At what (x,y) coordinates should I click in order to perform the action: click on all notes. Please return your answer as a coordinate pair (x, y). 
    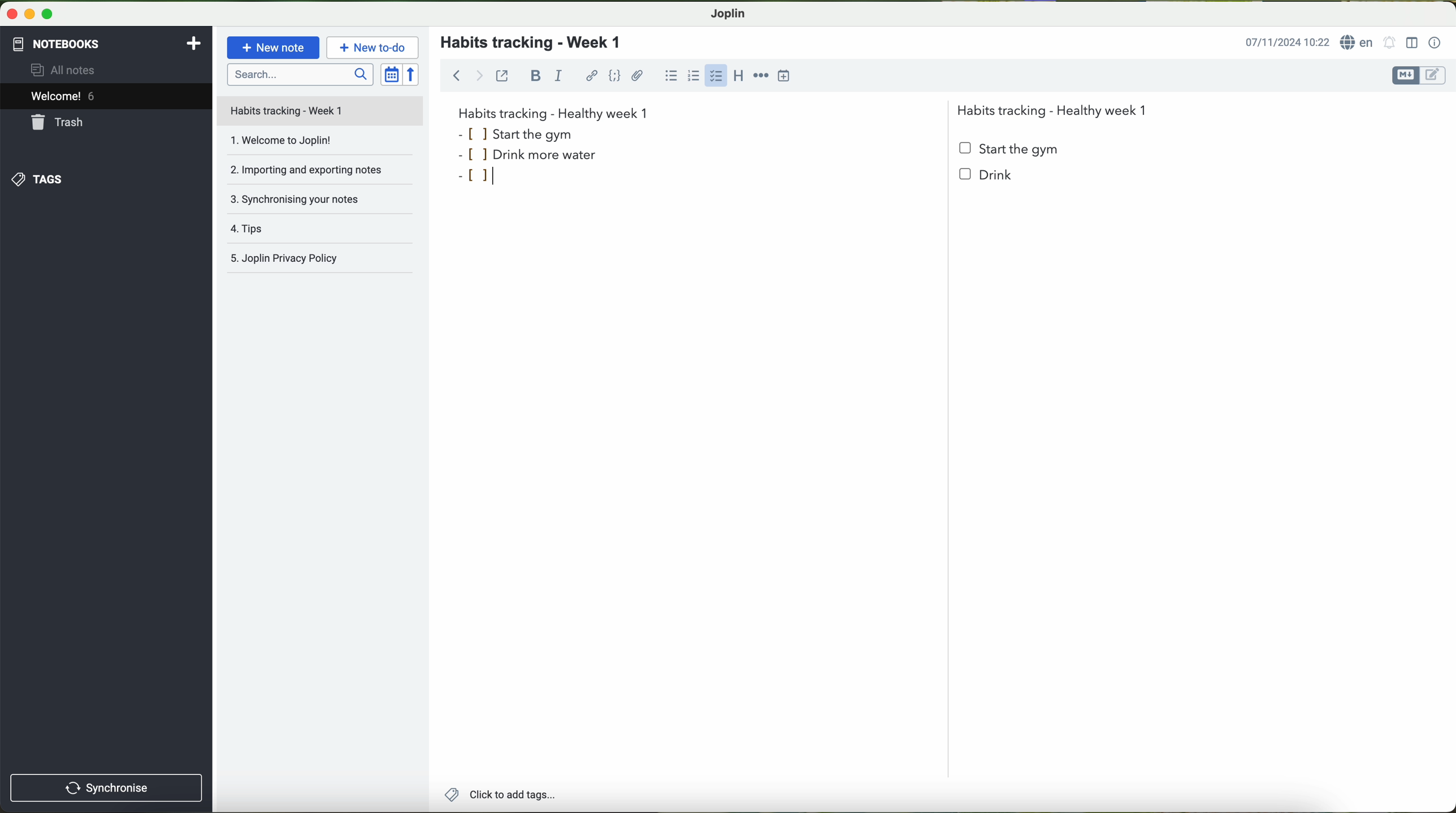
    Looking at the image, I should click on (66, 69).